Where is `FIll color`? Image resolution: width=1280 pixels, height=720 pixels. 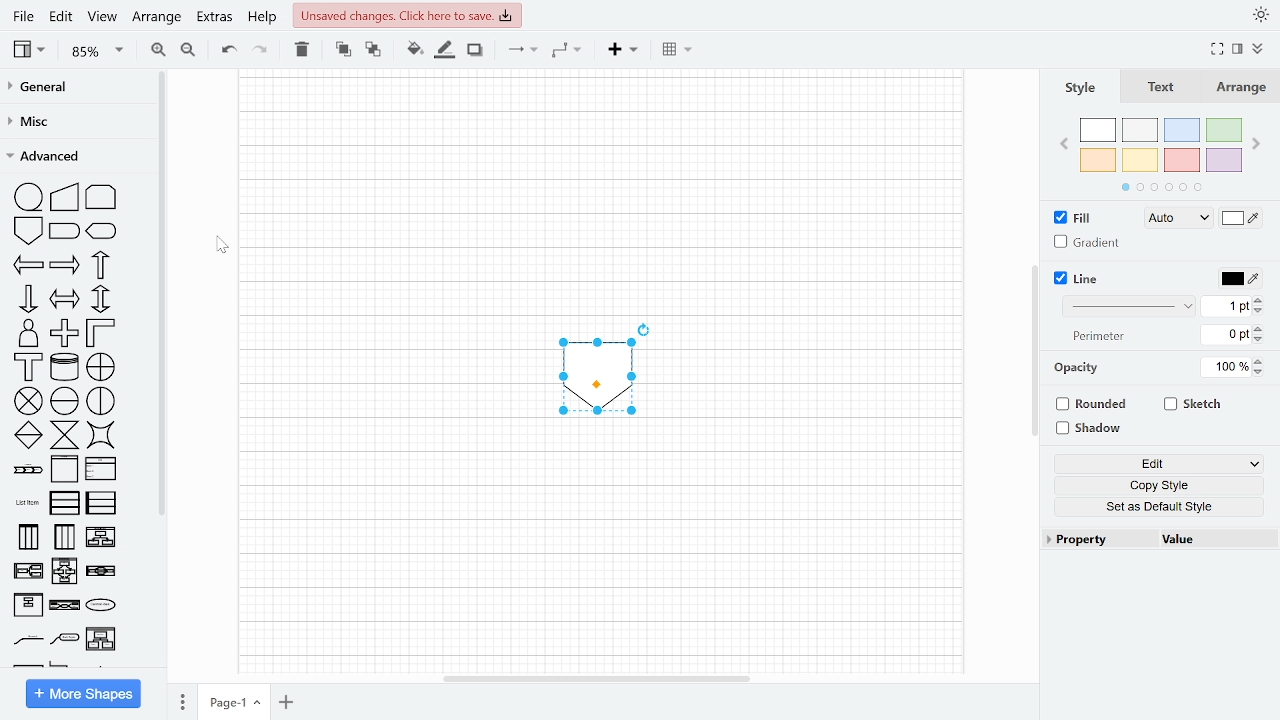
FIll color is located at coordinates (1240, 219).